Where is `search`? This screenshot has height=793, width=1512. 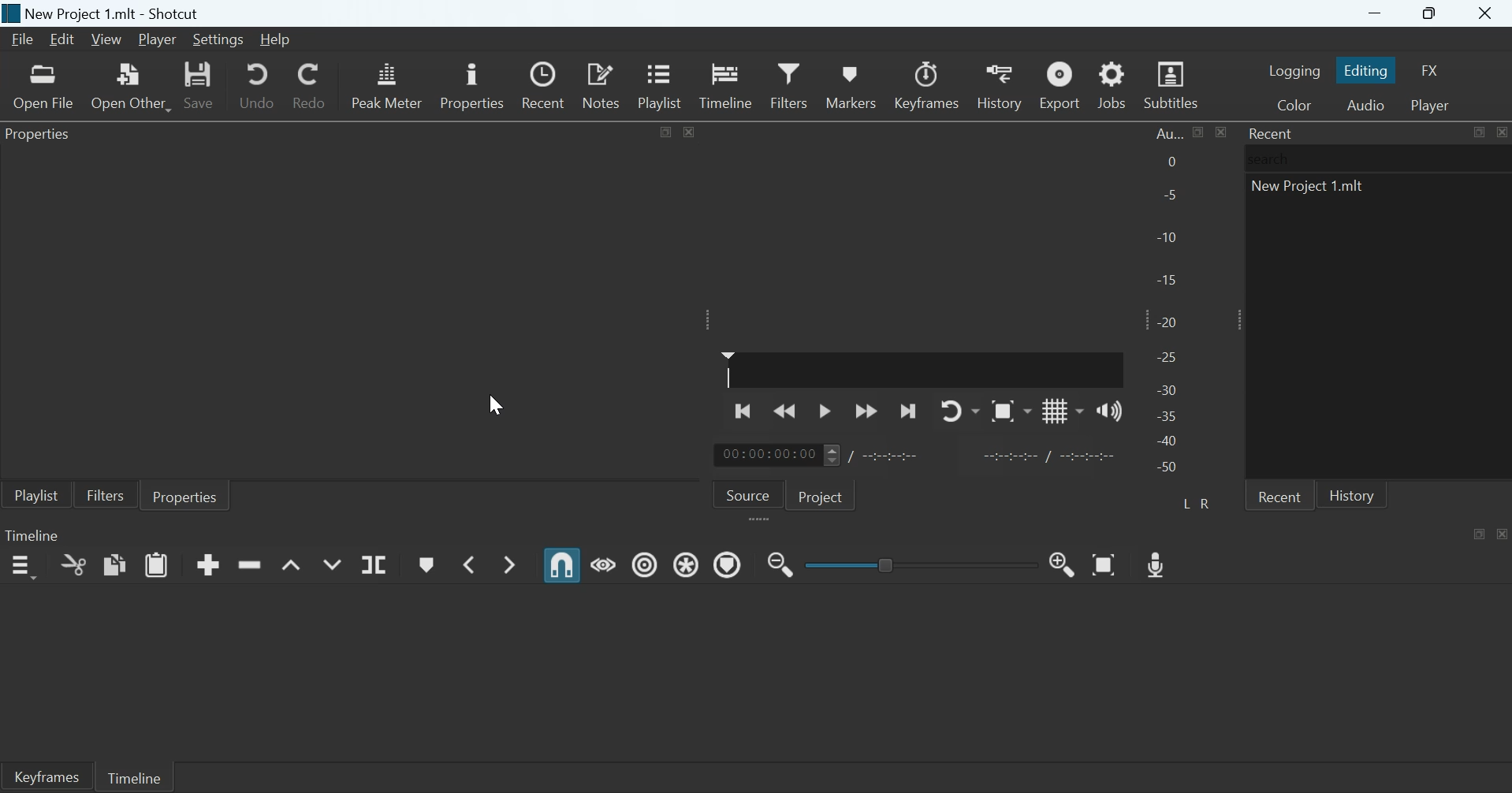
search is located at coordinates (1273, 158).